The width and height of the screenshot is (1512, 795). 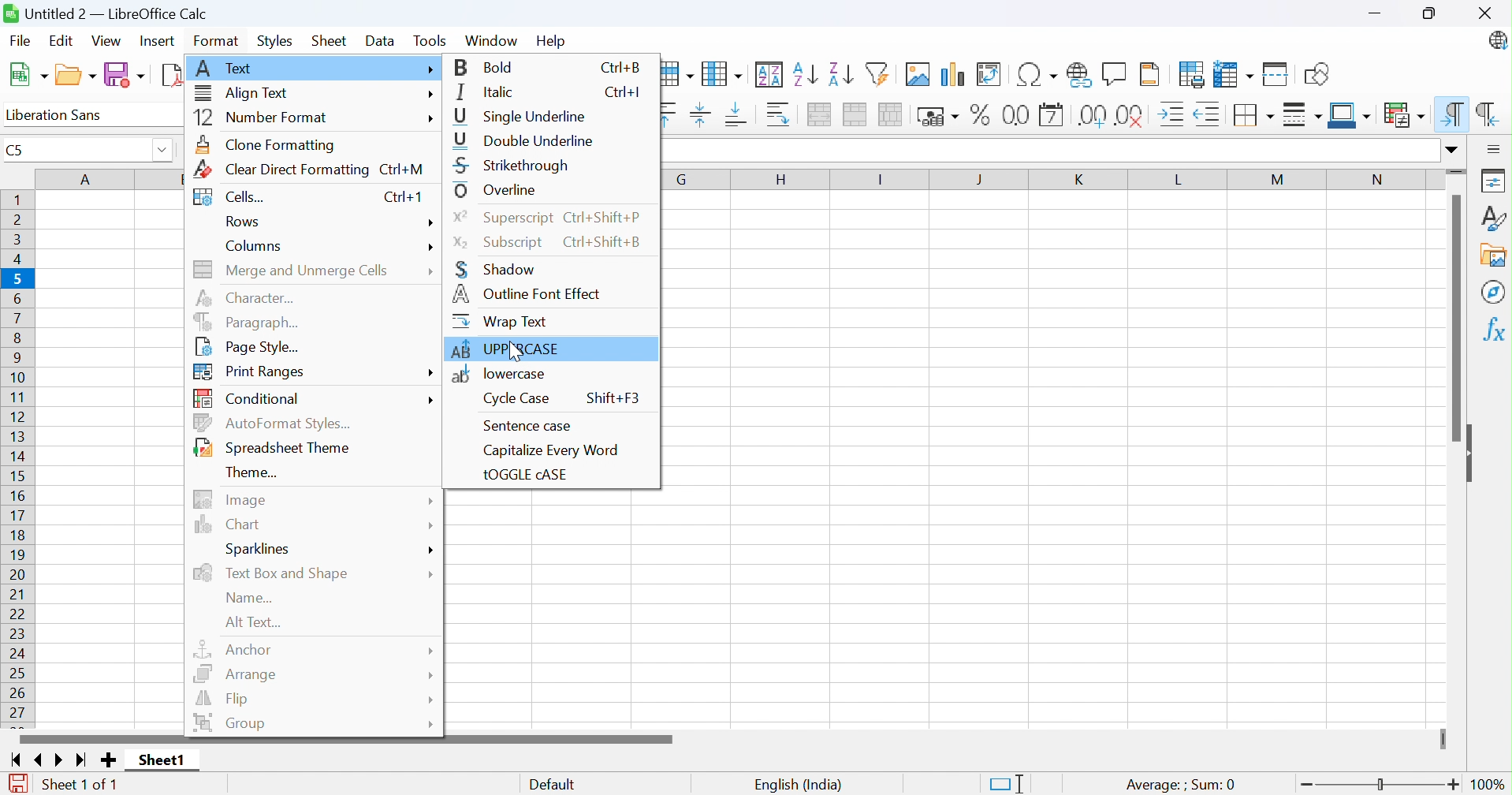 I want to click on UPPERCASE, so click(x=507, y=348).